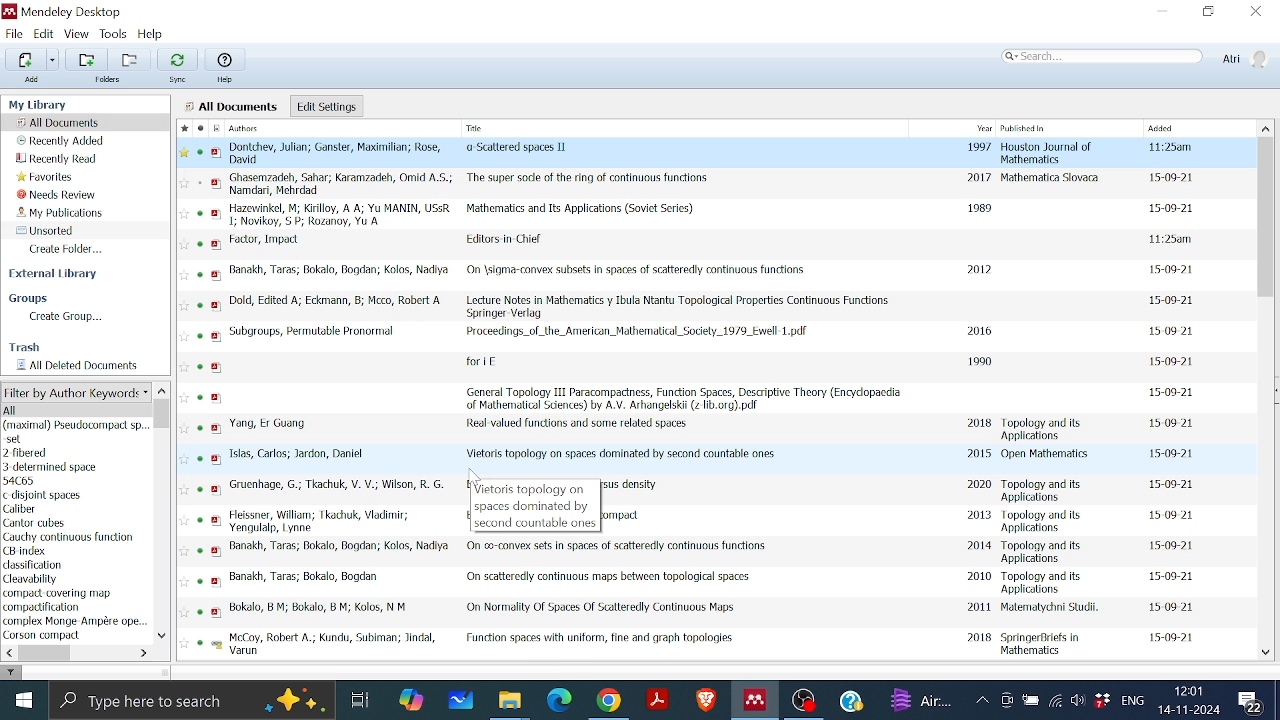 The height and width of the screenshot is (720, 1280). Describe the element at coordinates (980, 577) in the screenshot. I see `2010` at that location.